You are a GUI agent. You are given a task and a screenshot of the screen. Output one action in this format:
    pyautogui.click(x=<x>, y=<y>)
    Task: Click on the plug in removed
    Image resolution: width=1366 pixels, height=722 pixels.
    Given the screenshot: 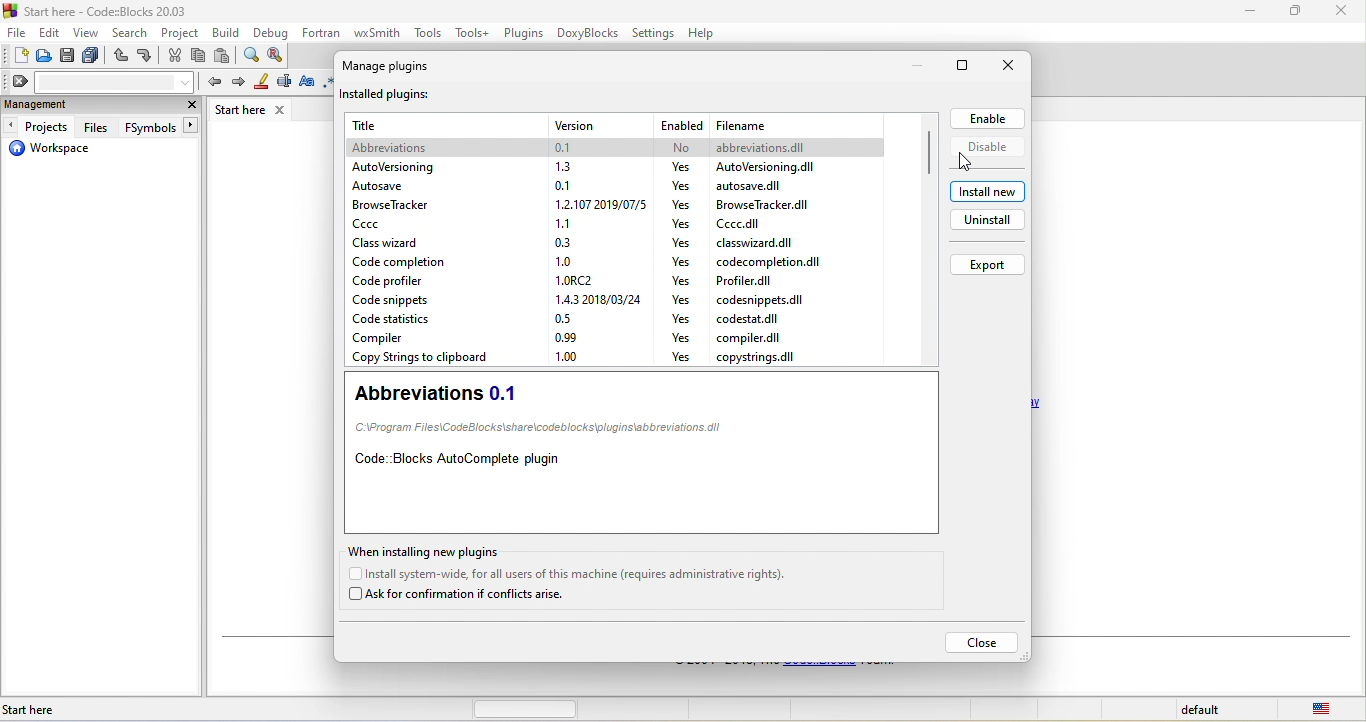 What is the action you would take?
    pyautogui.click(x=615, y=148)
    